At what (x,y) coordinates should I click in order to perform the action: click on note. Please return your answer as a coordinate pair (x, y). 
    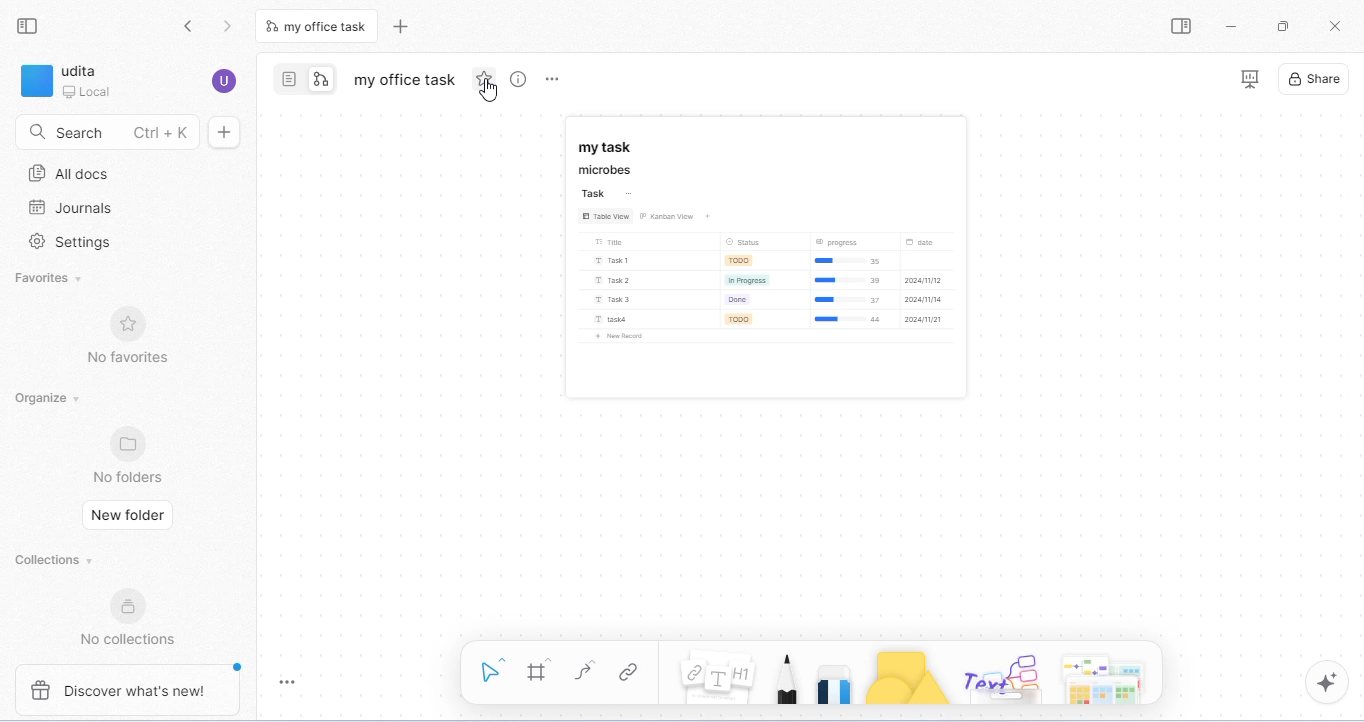
    Looking at the image, I should click on (717, 675).